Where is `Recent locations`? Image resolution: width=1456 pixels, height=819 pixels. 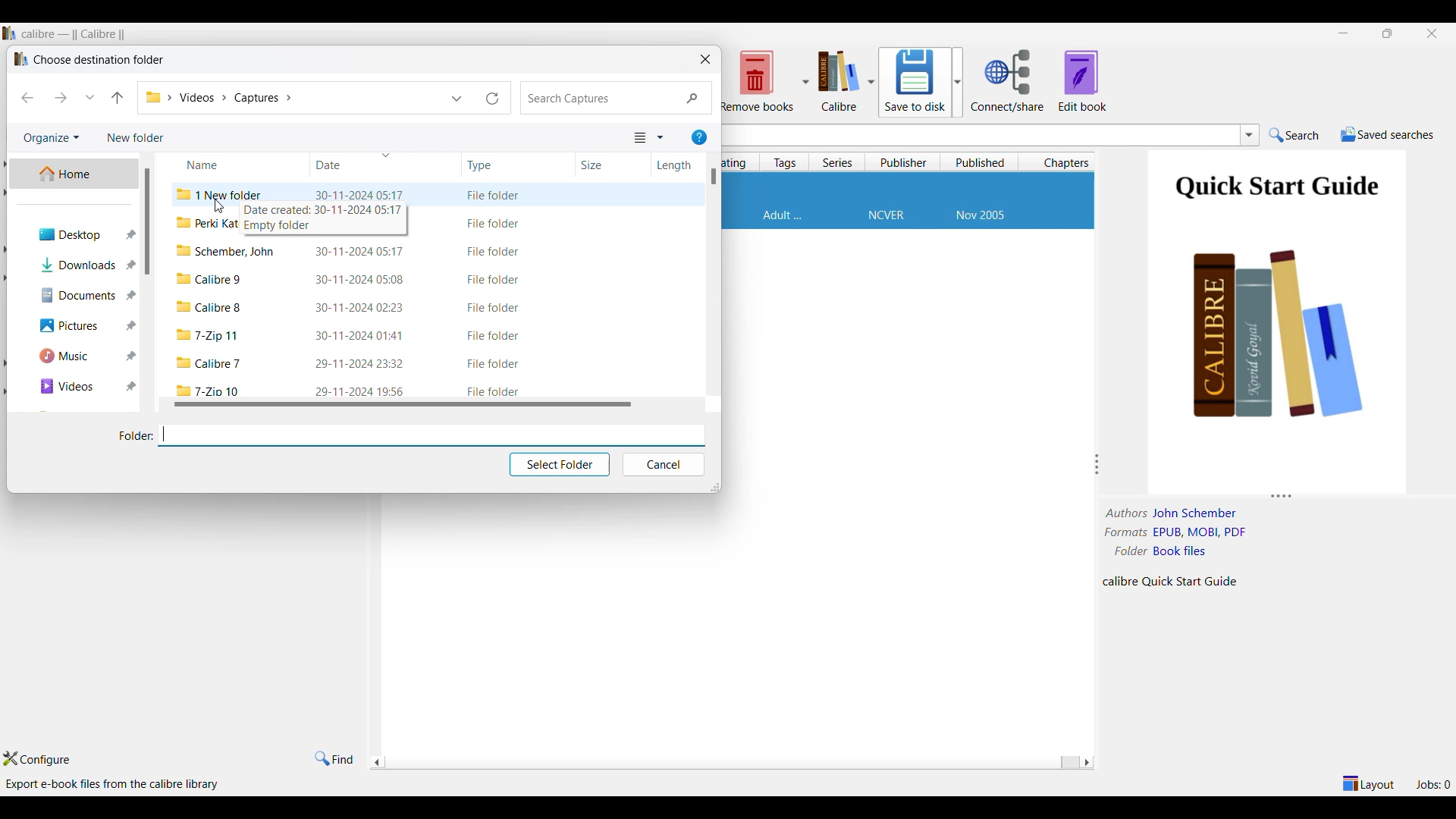 Recent locations is located at coordinates (90, 97).